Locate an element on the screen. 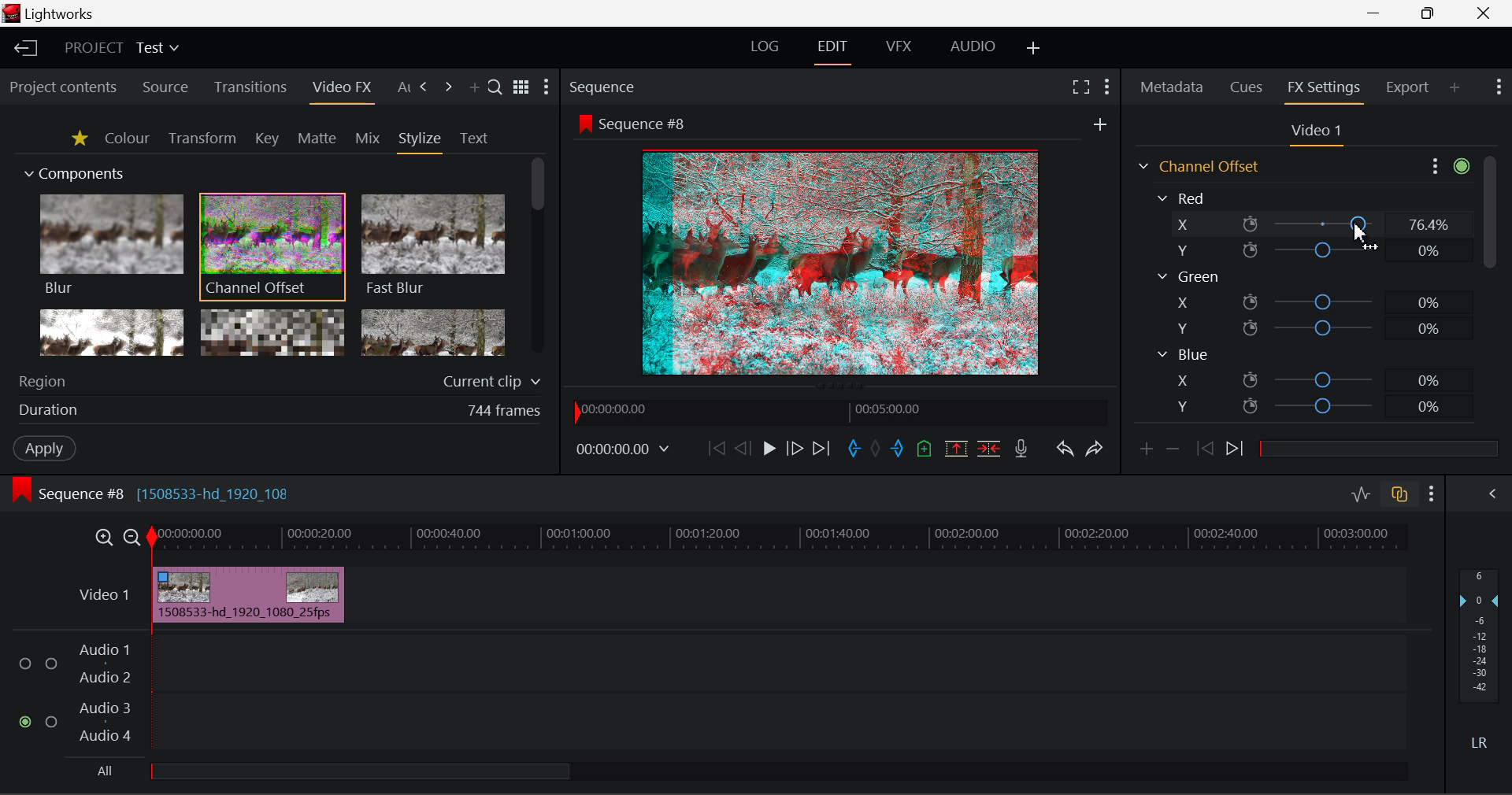  Video Settings is located at coordinates (1314, 134).